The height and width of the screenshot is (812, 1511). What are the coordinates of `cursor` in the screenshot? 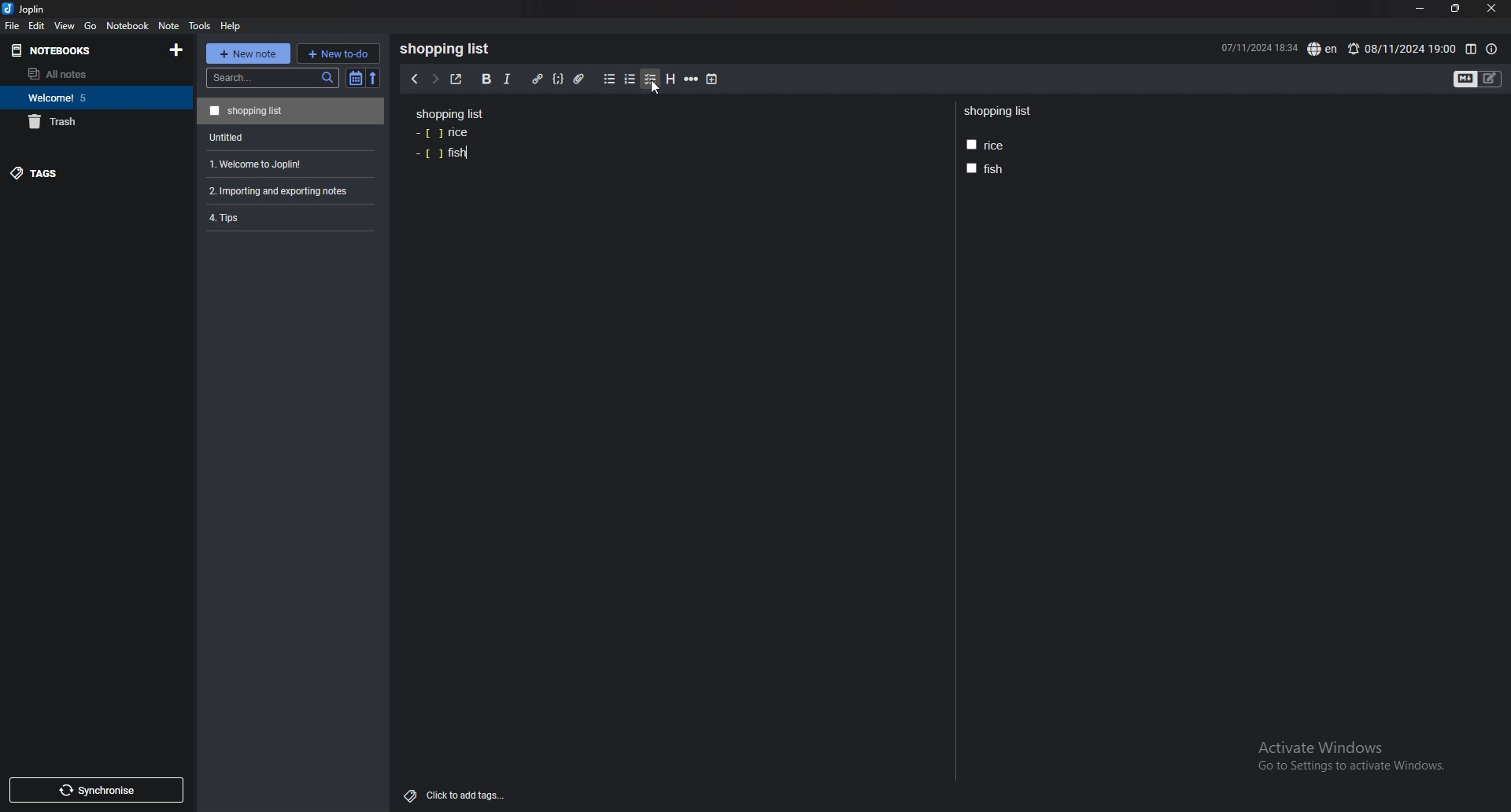 It's located at (655, 88).